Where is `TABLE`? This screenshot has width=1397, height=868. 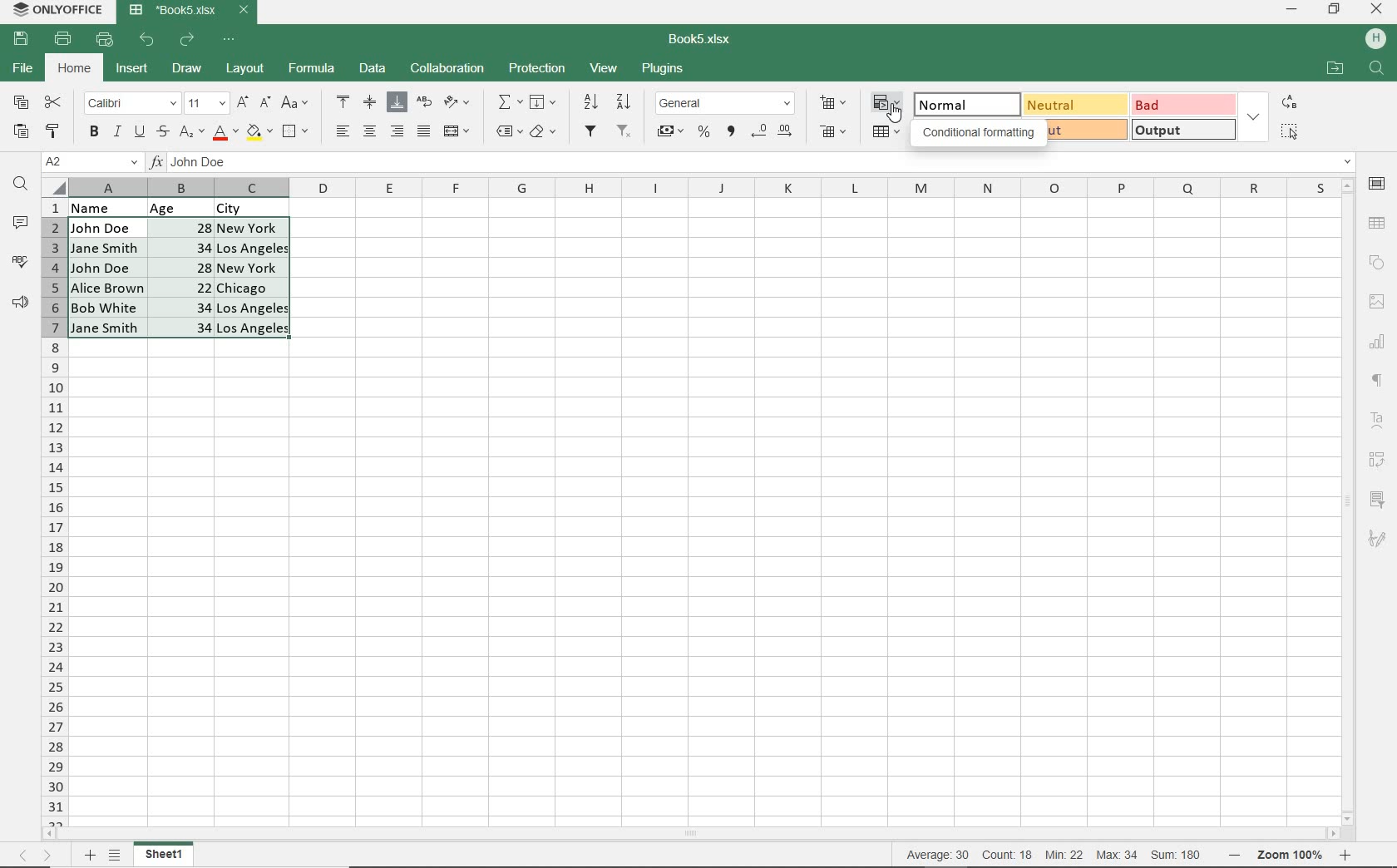
TABLE is located at coordinates (1378, 223).